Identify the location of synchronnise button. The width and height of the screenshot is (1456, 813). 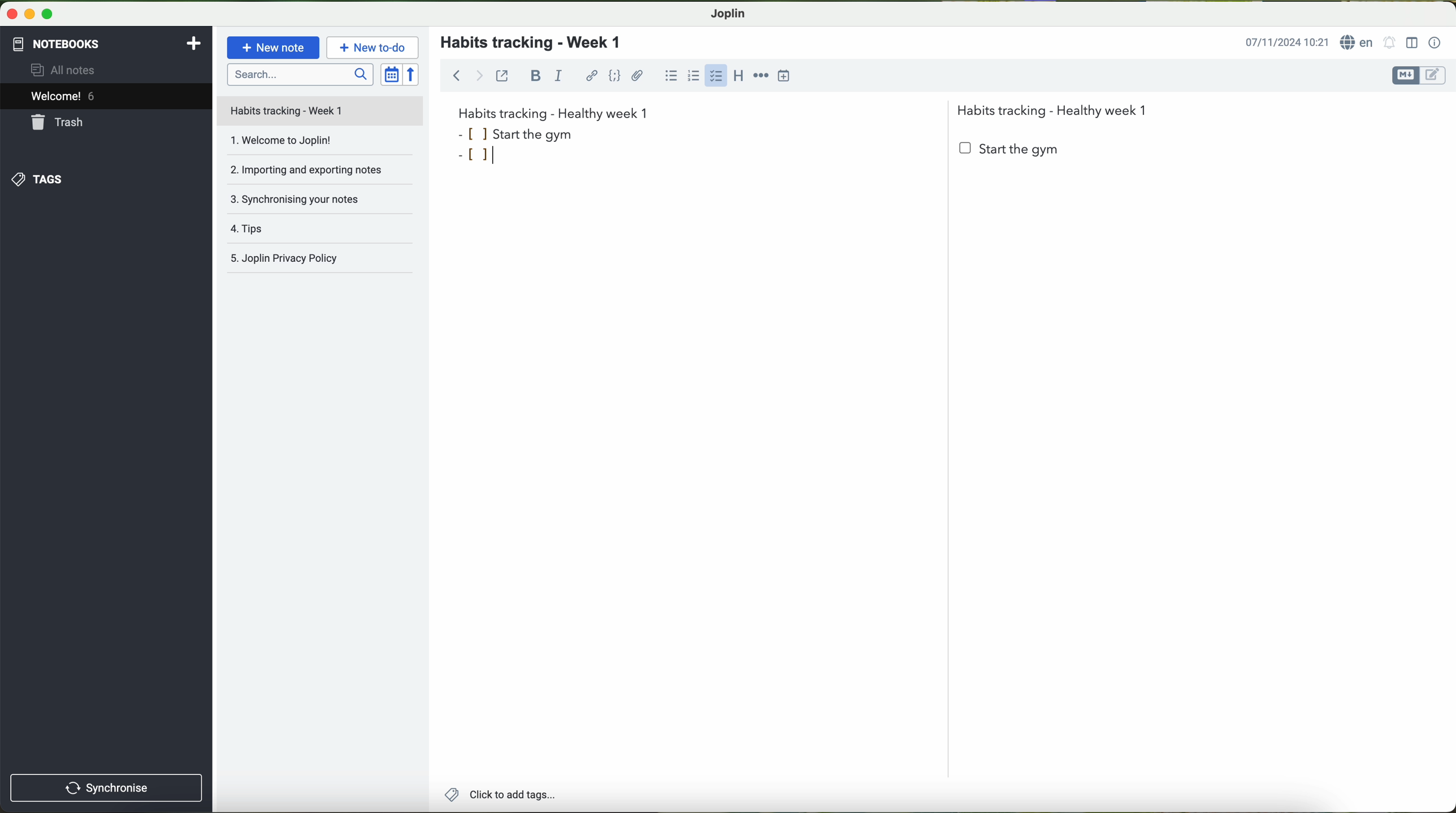
(105, 789).